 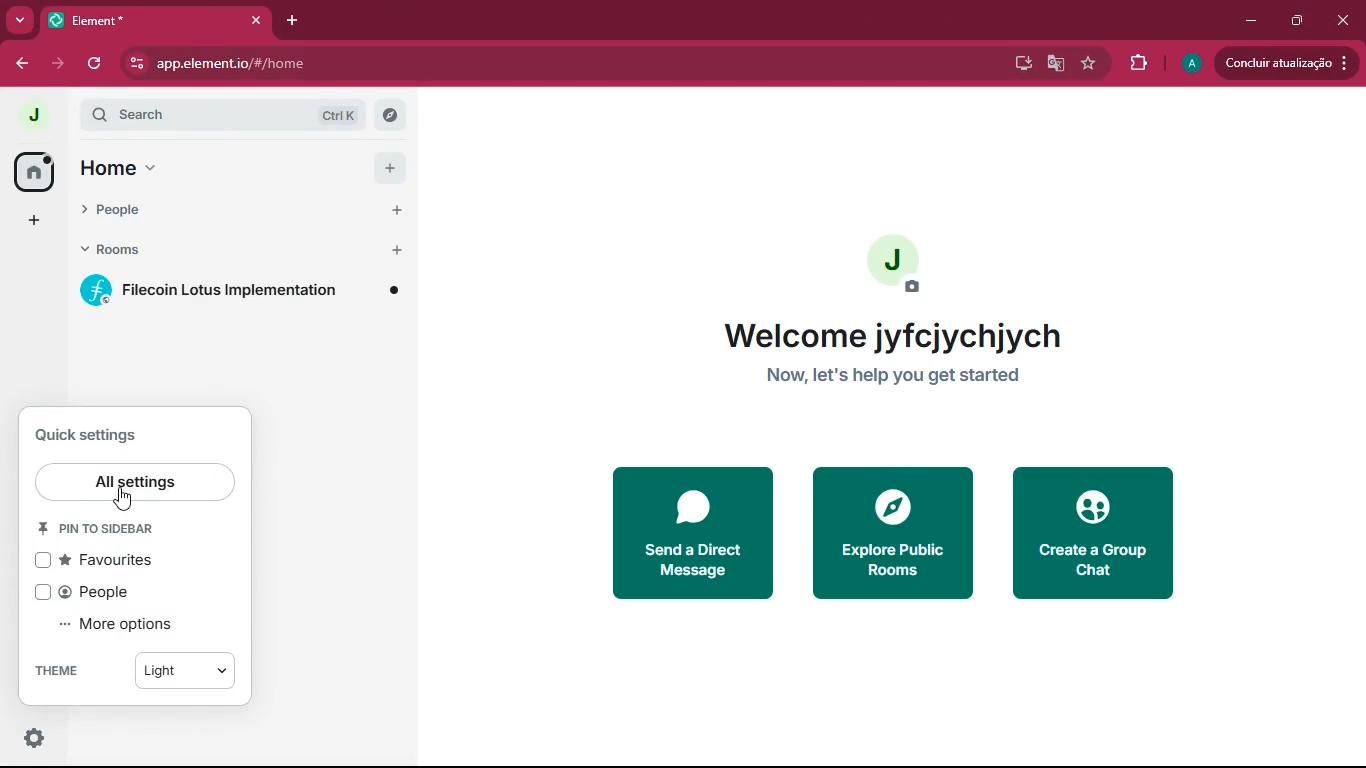 I want to click on explore, so click(x=890, y=530).